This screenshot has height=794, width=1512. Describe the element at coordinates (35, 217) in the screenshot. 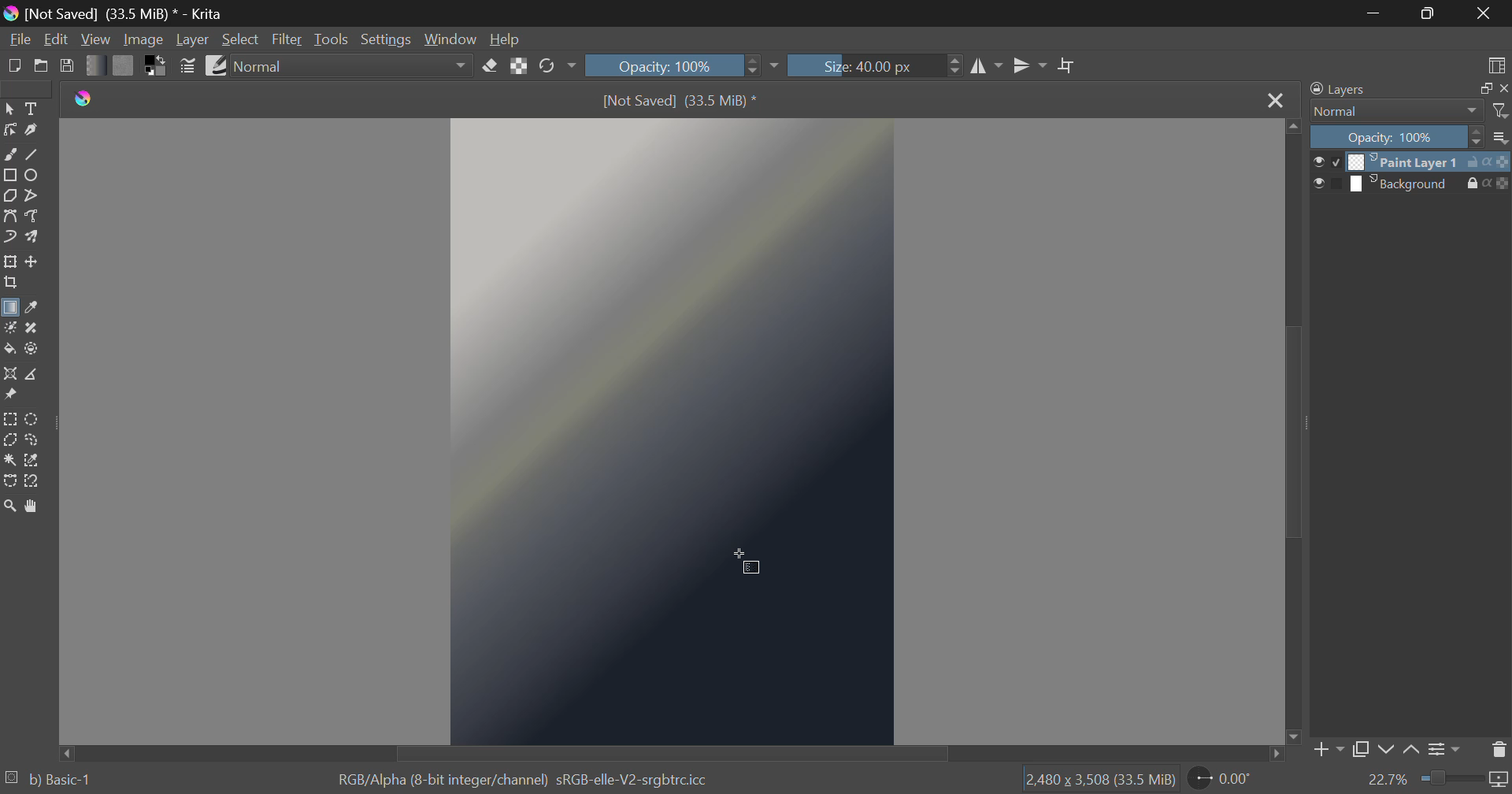

I see `Freehand Path Tool` at that location.